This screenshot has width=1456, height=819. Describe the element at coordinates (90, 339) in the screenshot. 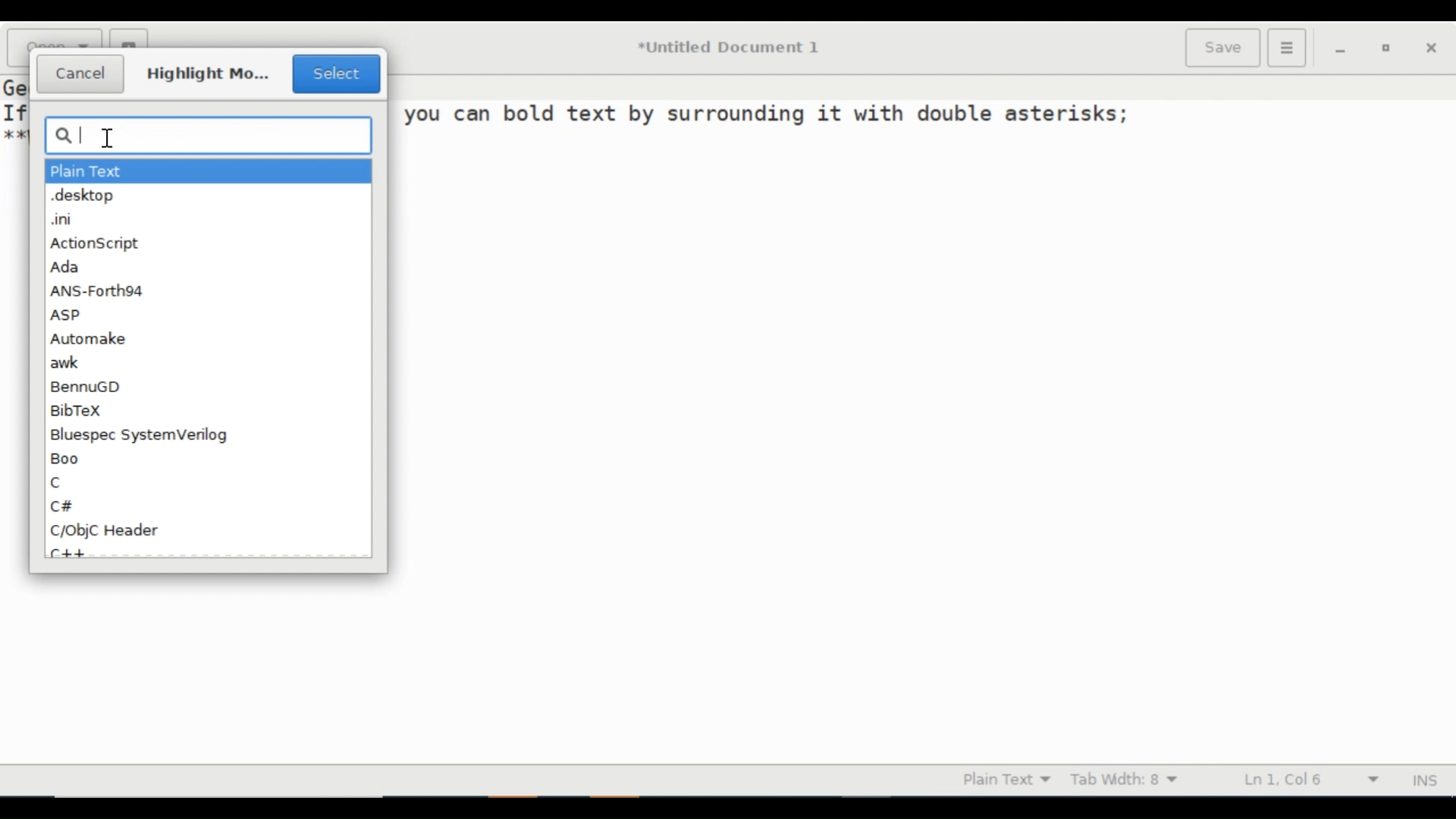

I see `Automake` at that location.